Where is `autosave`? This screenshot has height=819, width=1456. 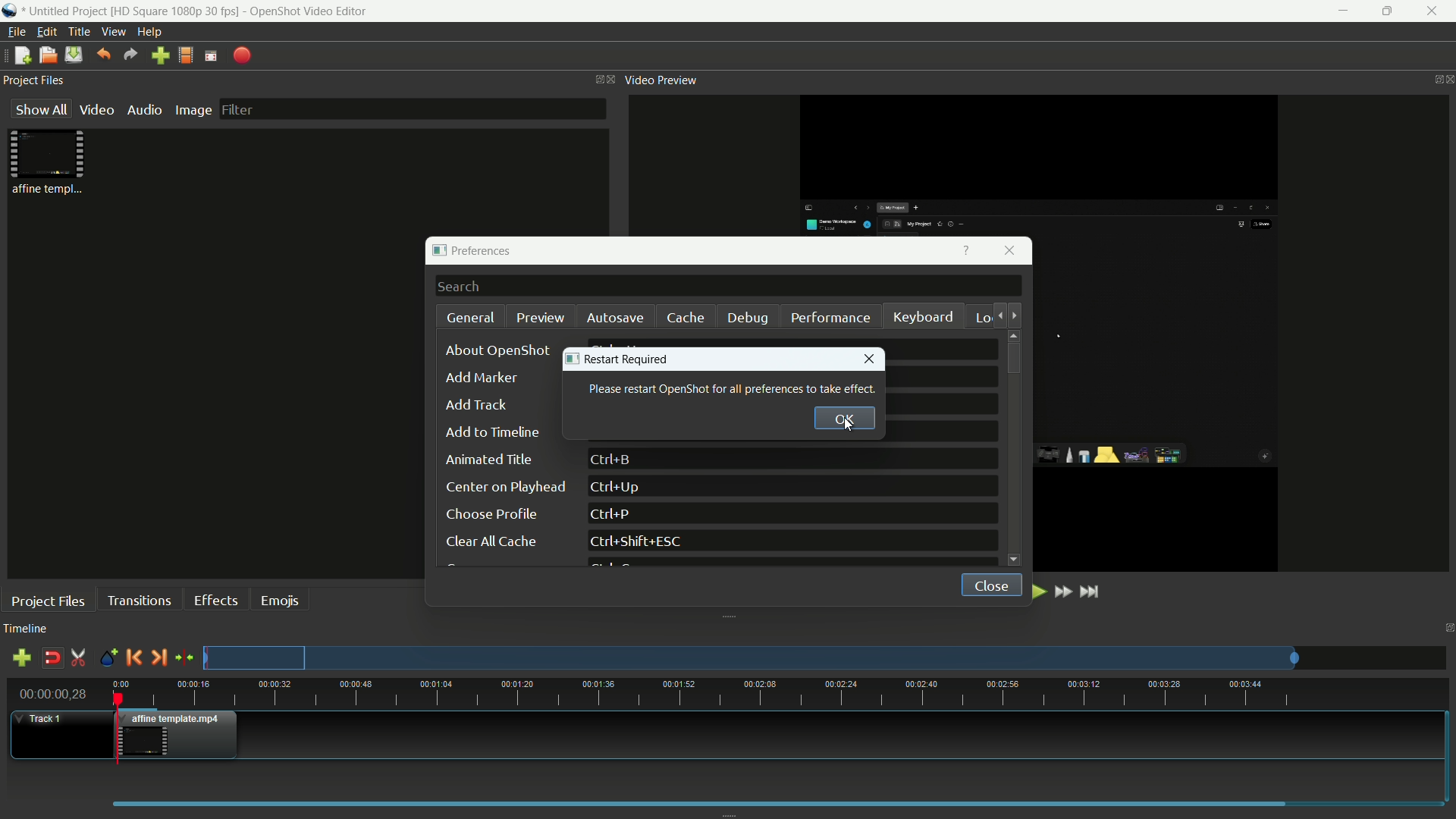
autosave is located at coordinates (613, 318).